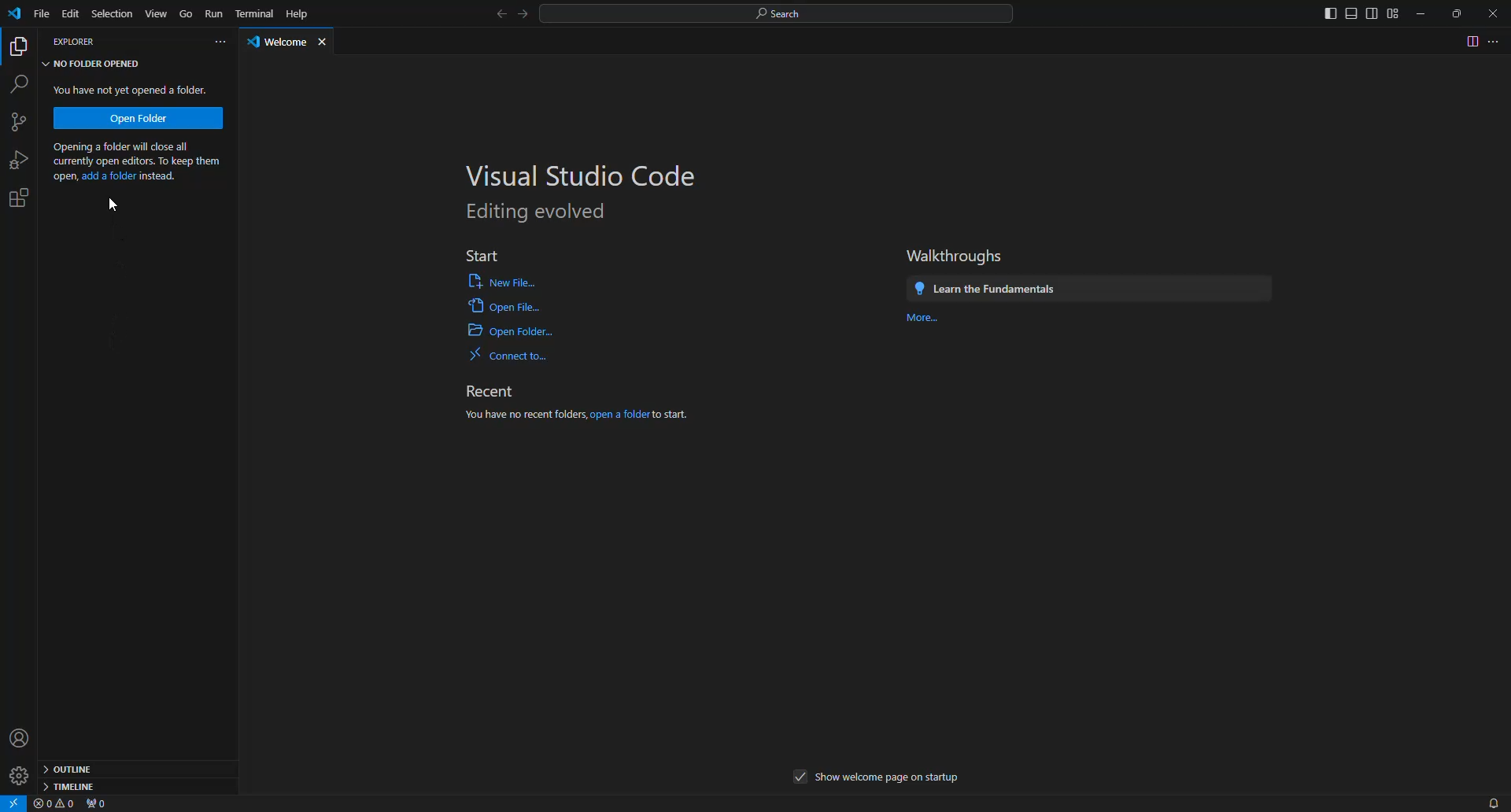 The width and height of the screenshot is (1511, 812). Describe the element at coordinates (1470, 41) in the screenshot. I see `split editor right` at that location.